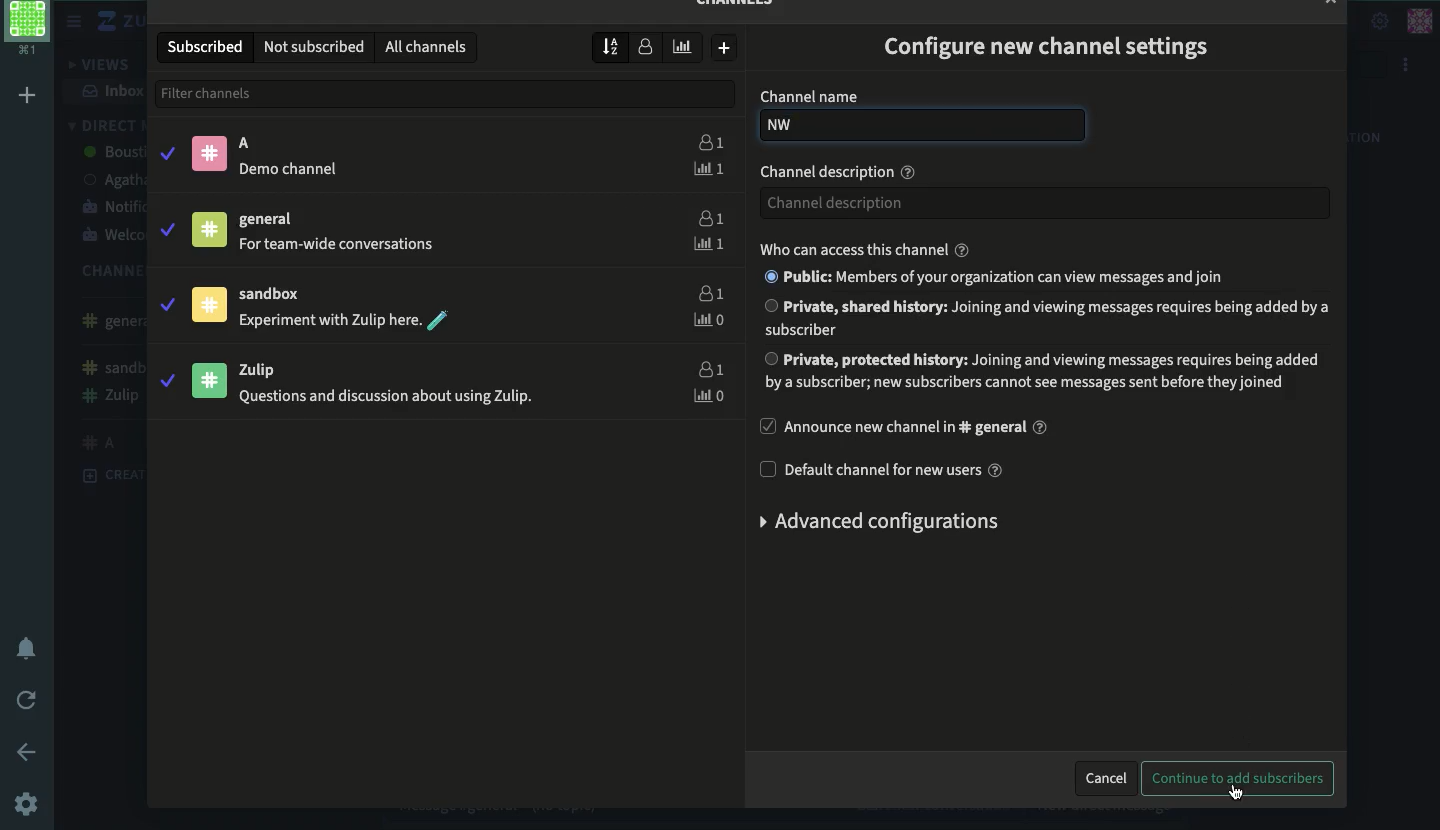 This screenshot has height=830, width=1440. I want to click on Channel description, so click(843, 203).